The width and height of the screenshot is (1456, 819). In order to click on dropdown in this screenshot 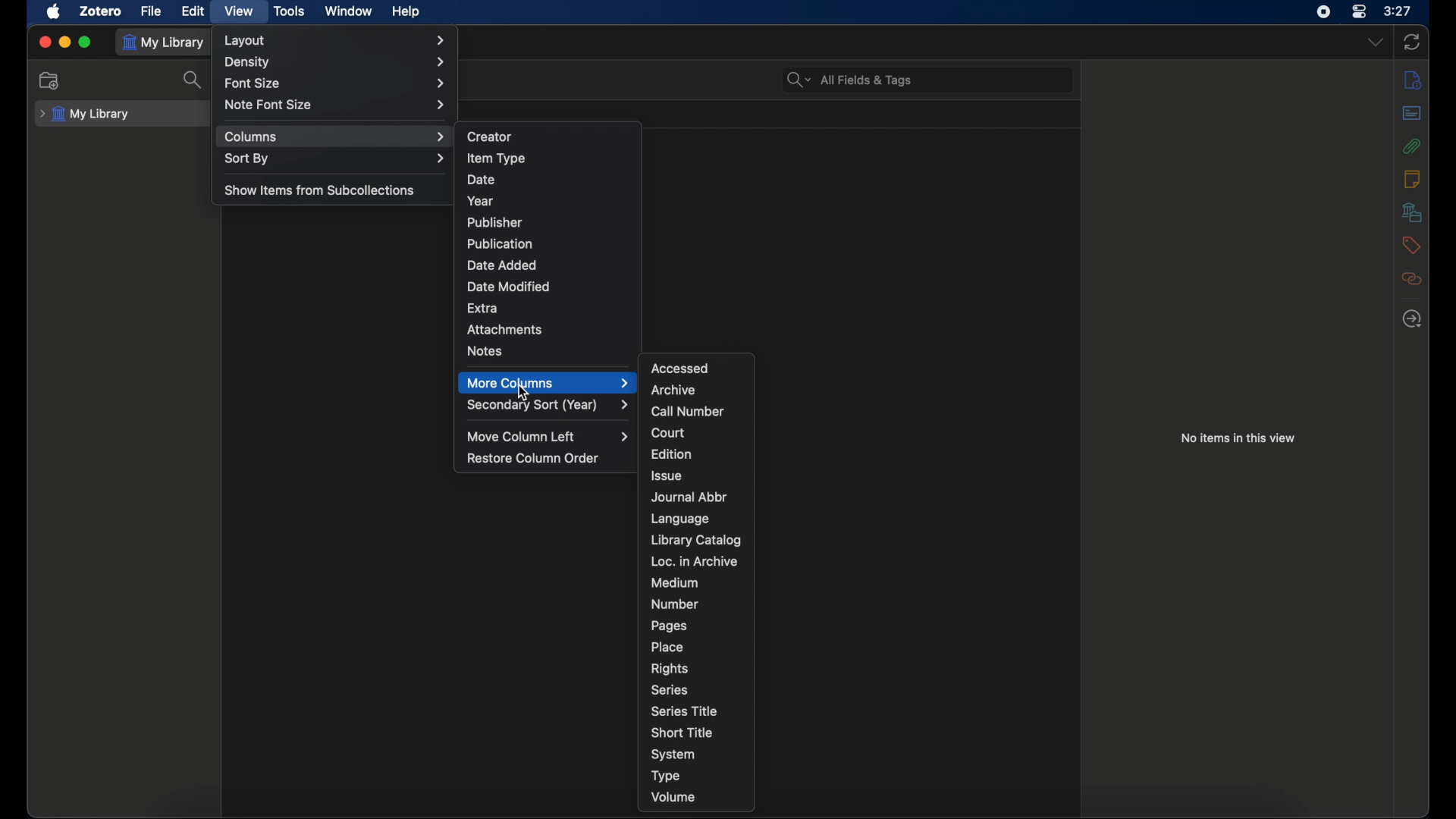, I will do `click(1376, 42)`.